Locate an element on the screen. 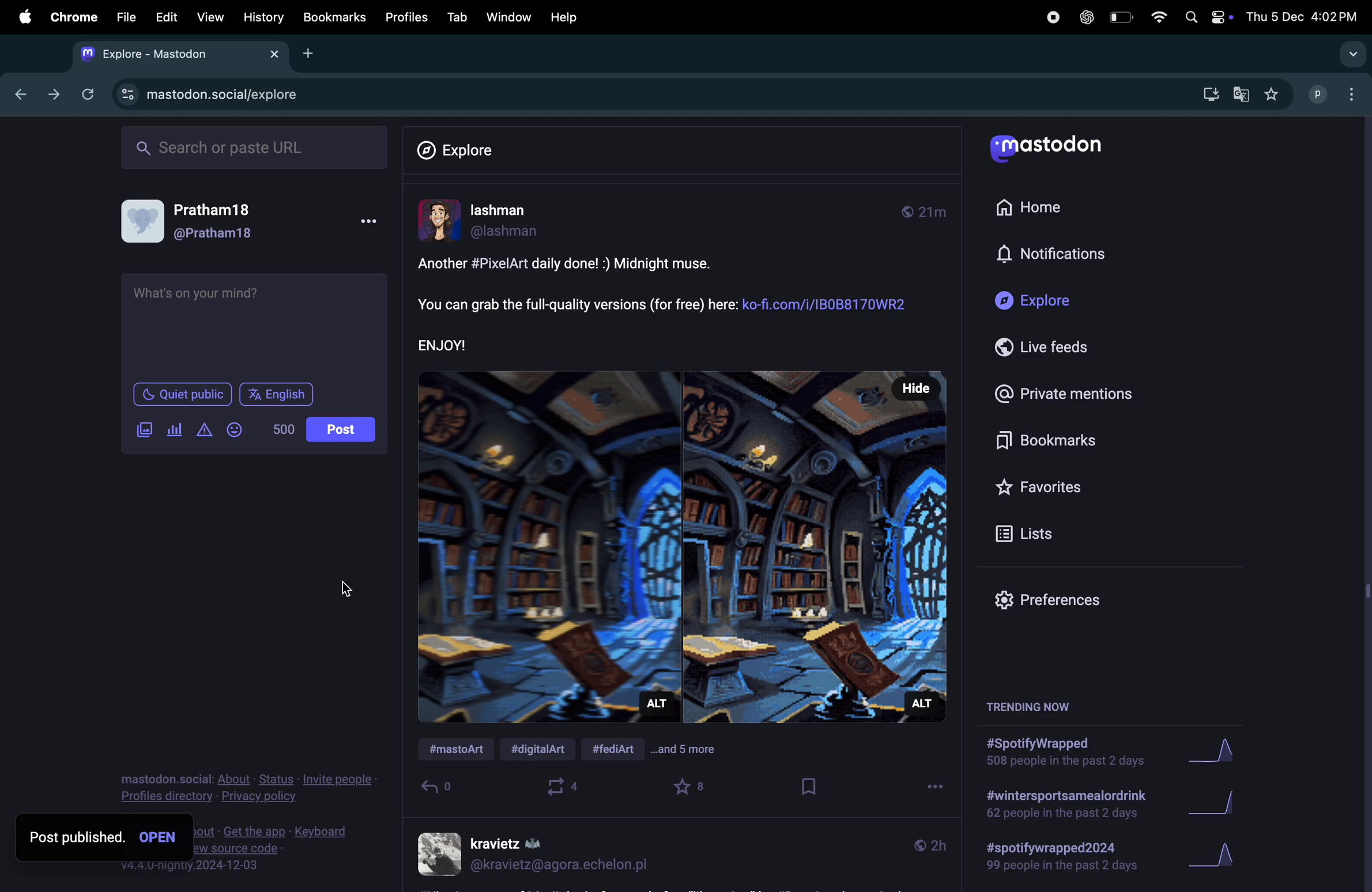 The image size is (1372, 892). post is located at coordinates (344, 429).